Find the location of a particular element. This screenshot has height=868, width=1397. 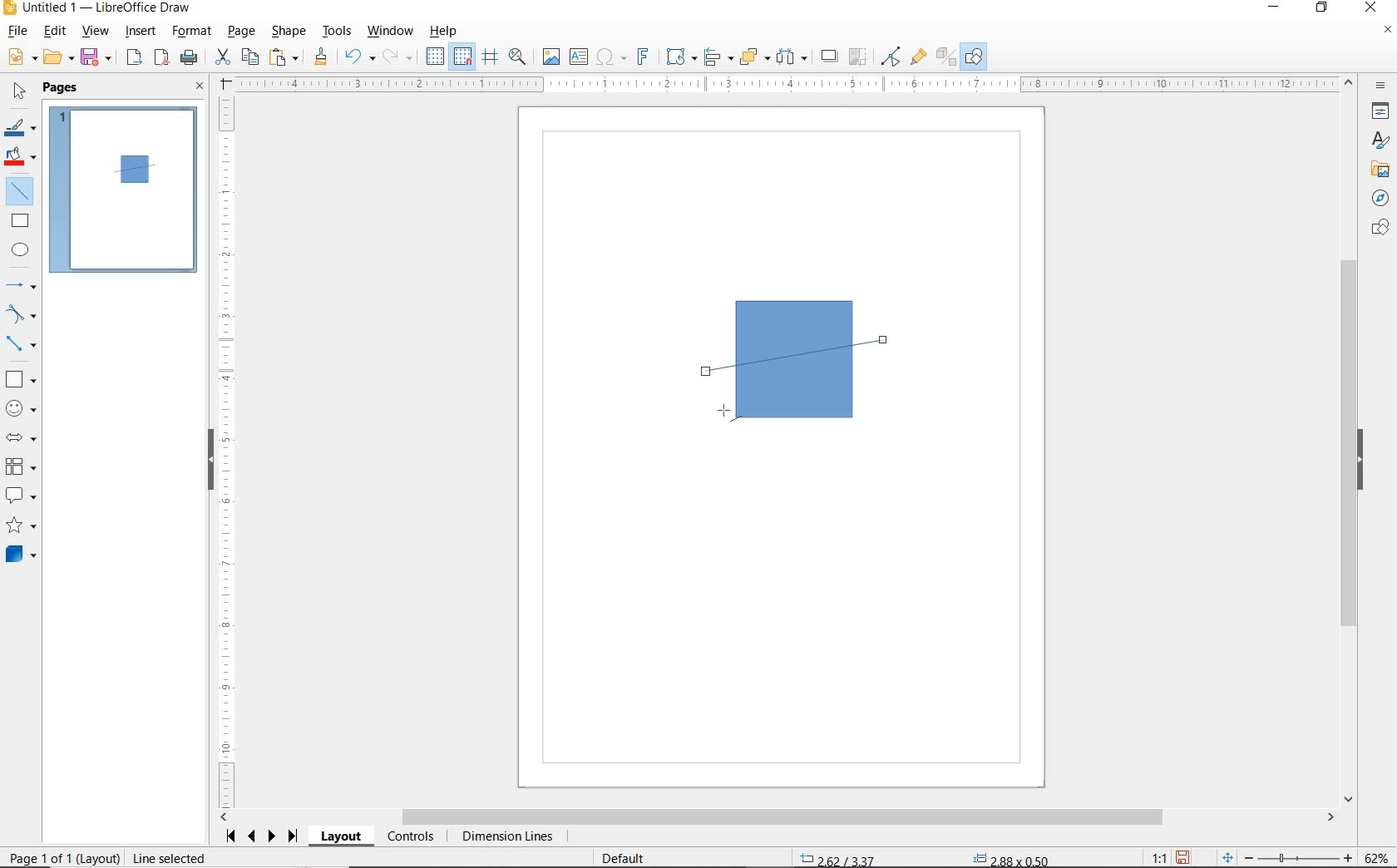

LINE TOOL AT DRAG is located at coordinates (886, 339).